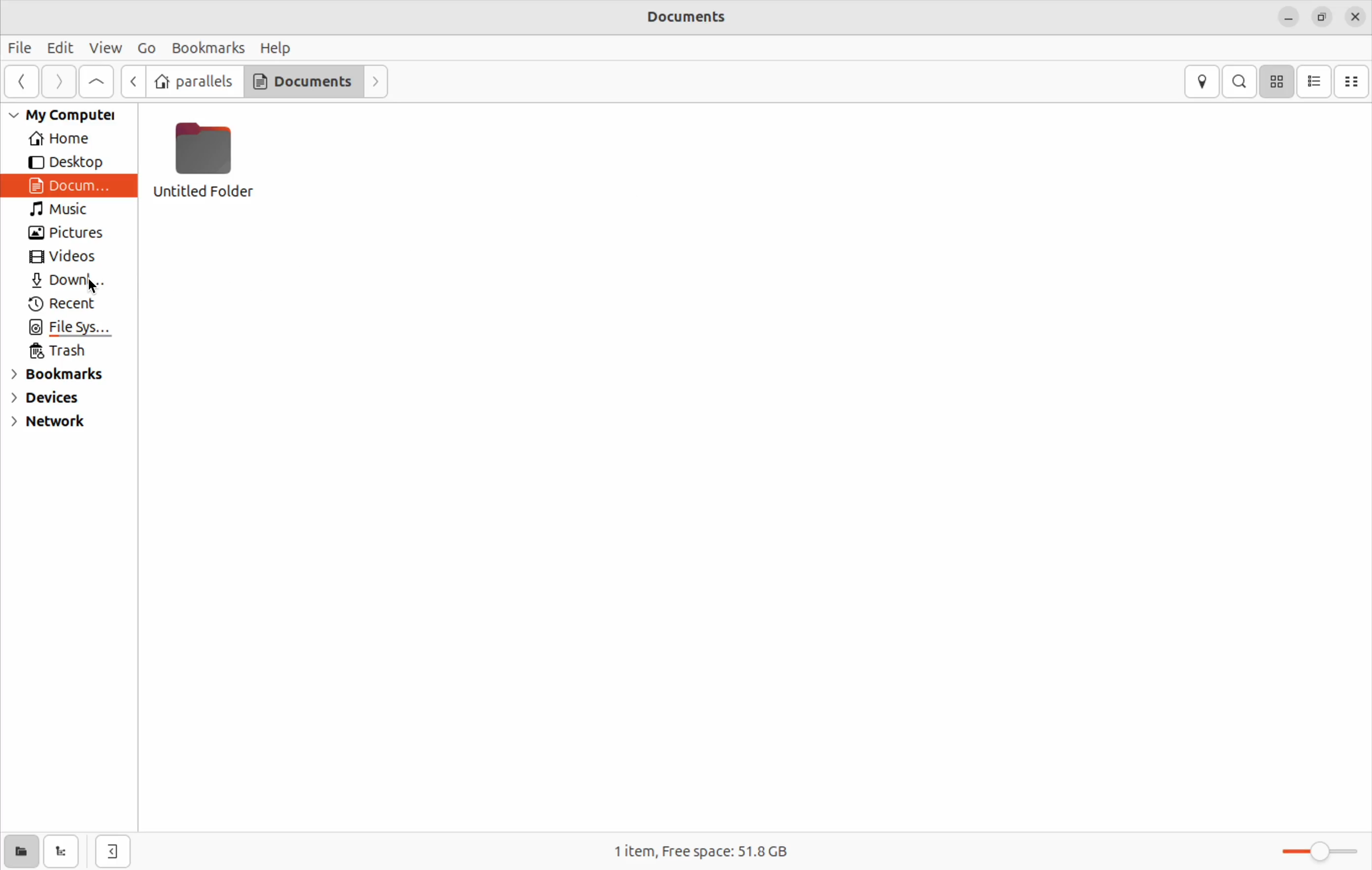  What do you see at coordinates (1202, 80) in the screenshot?
I see `location` at bounding box center [1202, 80].